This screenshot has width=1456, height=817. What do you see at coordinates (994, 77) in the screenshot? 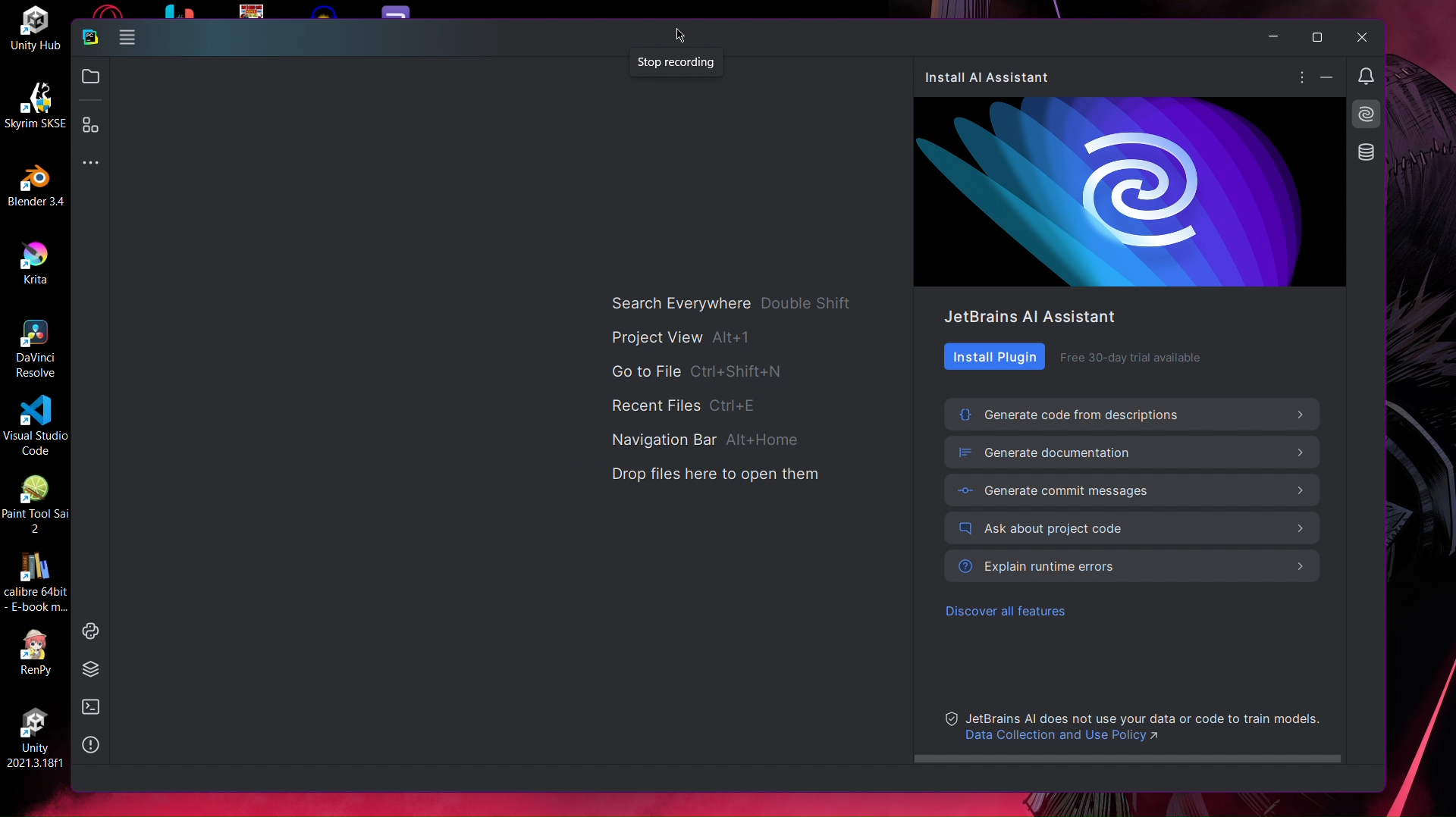
I see `Install AI Assistant` at bounding box center [994, 77].